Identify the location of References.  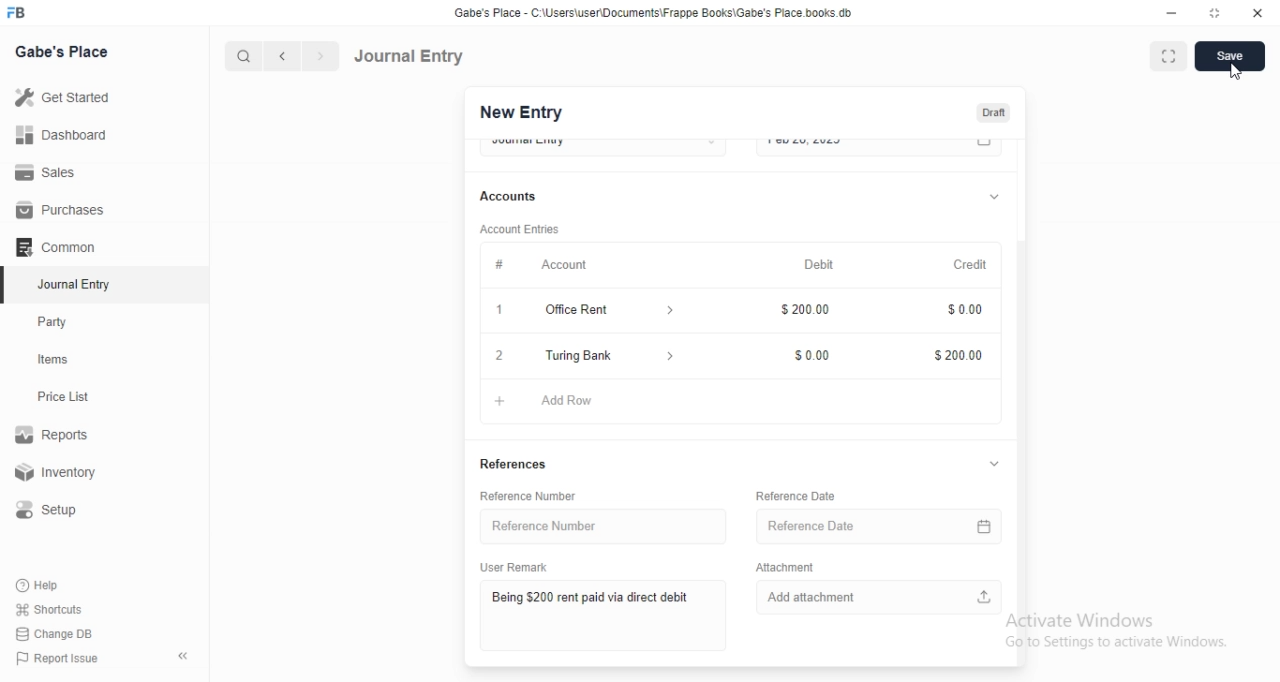
(513, 463).